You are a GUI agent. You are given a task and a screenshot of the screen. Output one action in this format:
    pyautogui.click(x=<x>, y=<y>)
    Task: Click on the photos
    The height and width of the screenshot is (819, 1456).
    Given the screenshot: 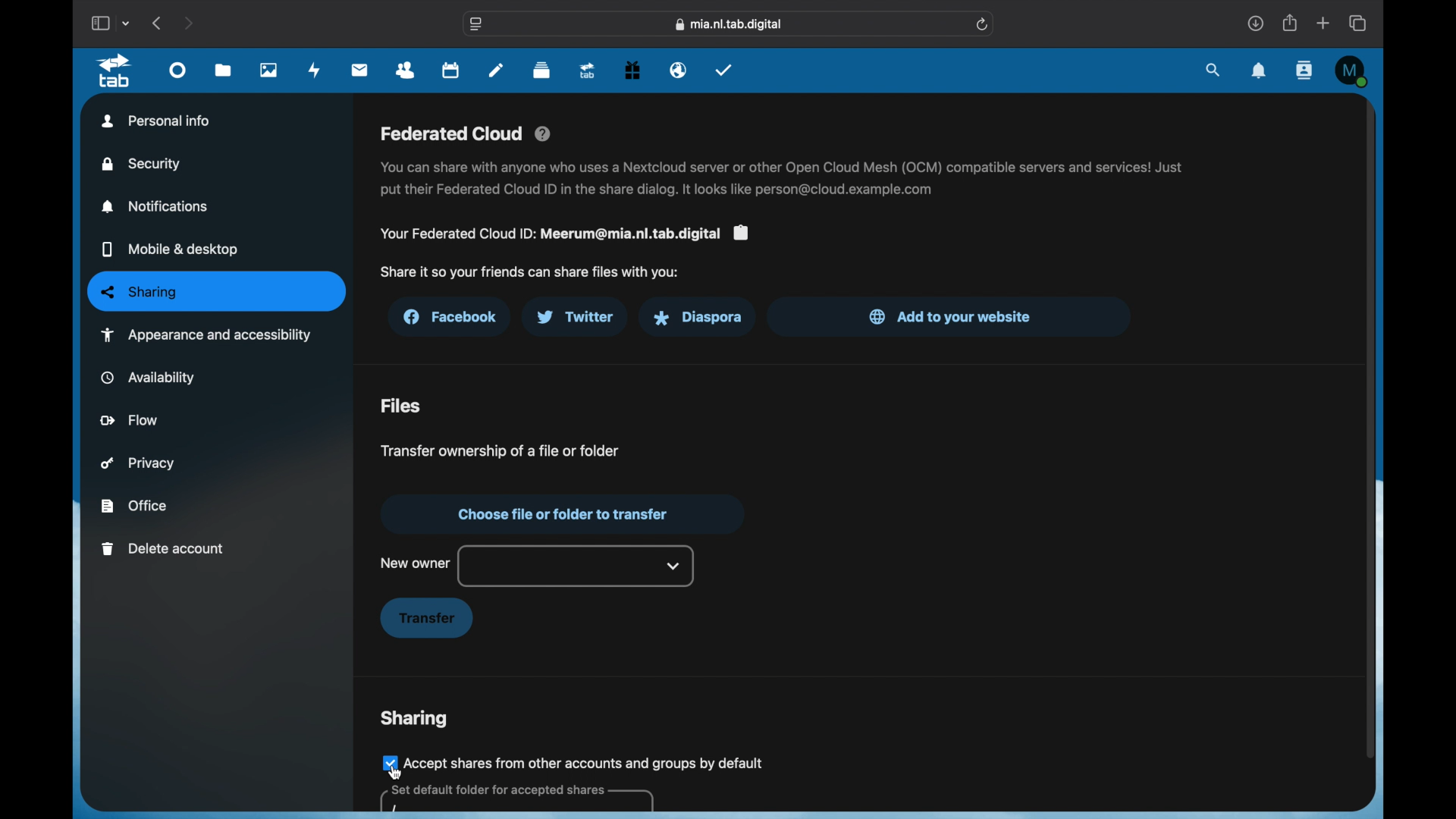 What is the action you would take?
    pyautogui.click(x=269, y=71)
    